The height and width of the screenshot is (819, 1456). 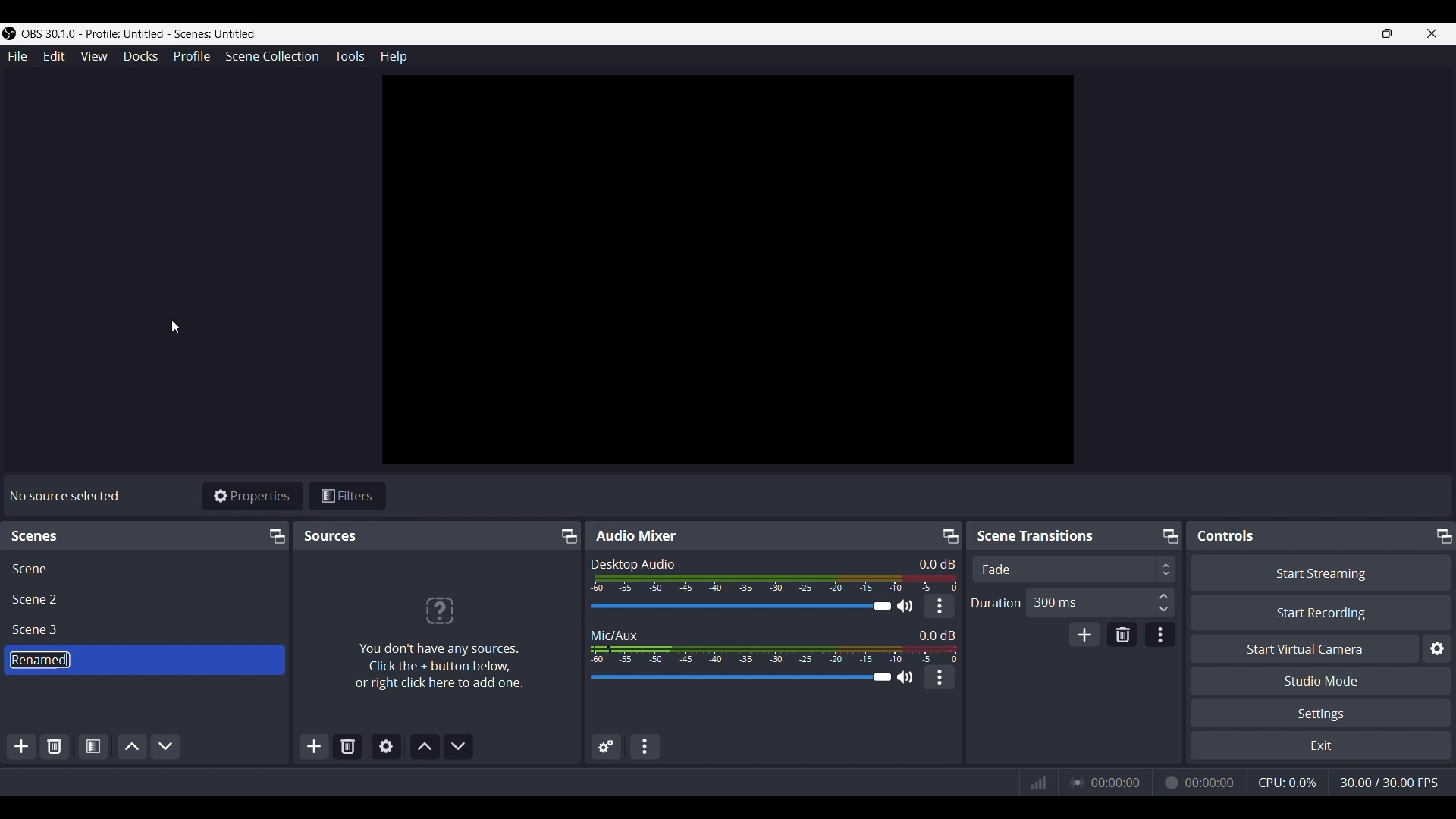 What do you see at coordinates (273, 55) in the screenshot?
I see `Scene Collection` at bounding box center [273, 55].